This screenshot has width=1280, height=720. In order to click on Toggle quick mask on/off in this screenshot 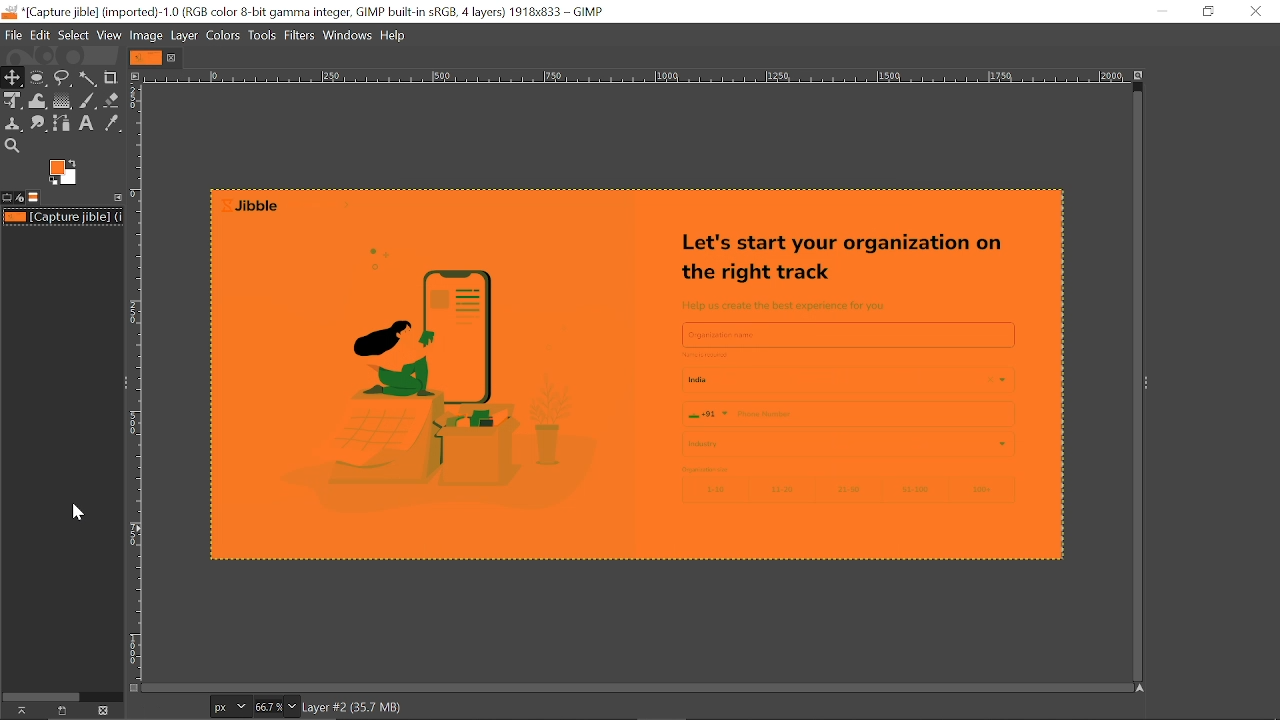, I will do `click(132, 688)`.